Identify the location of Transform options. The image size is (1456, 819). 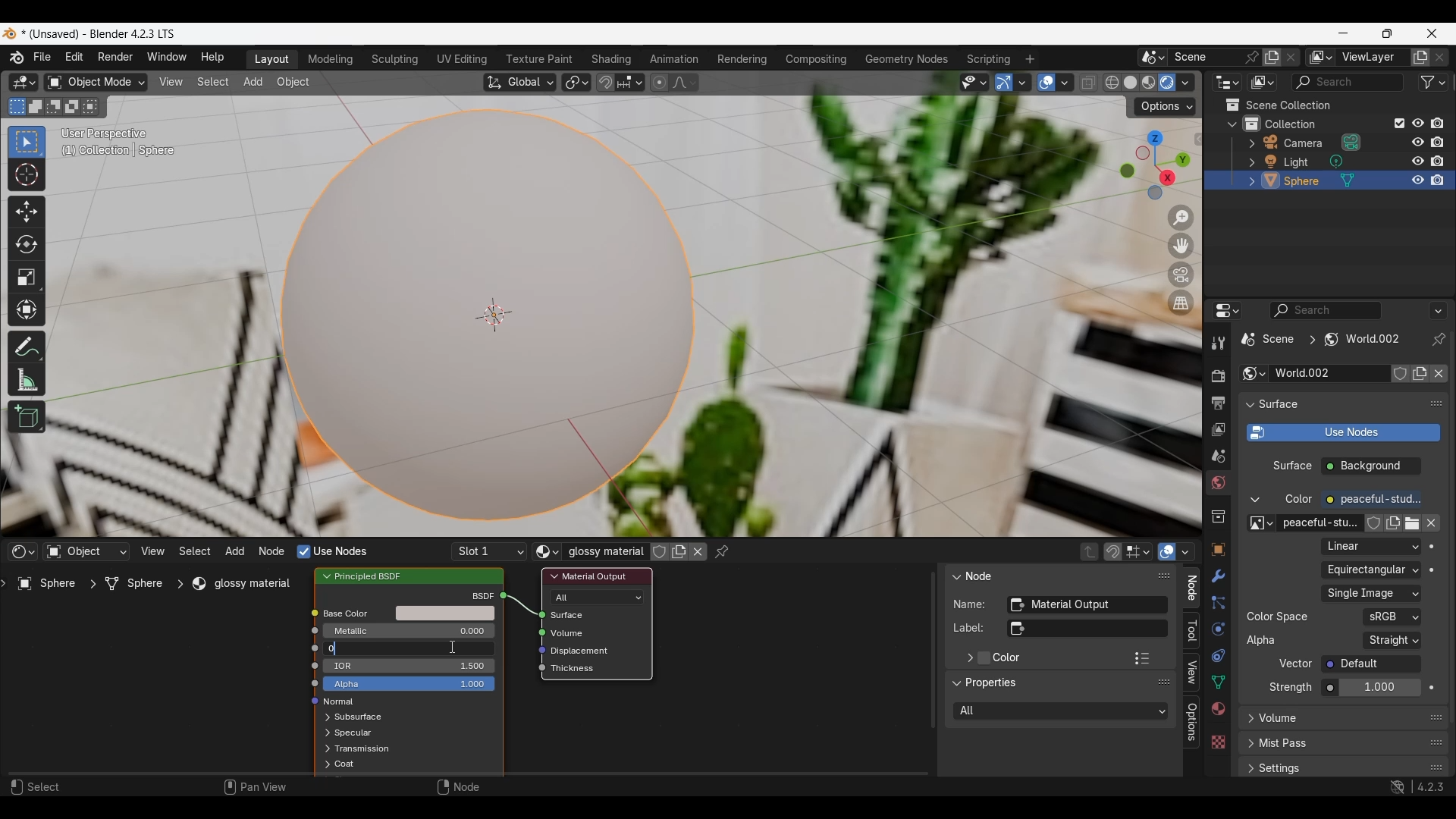
(1165, 107).